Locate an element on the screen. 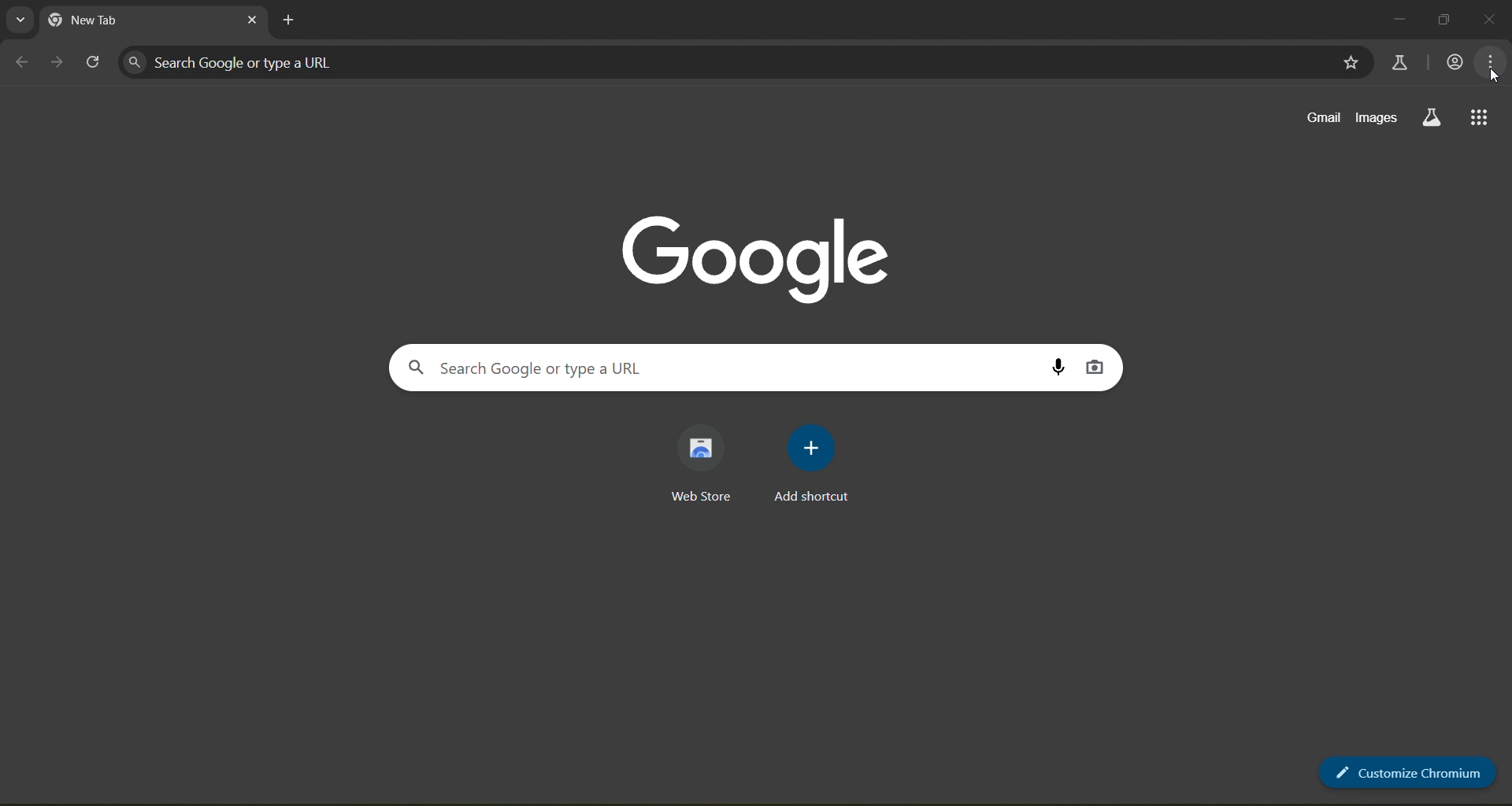 The image size is (1512, 806). search labs is located at coordinates (1430, 117).